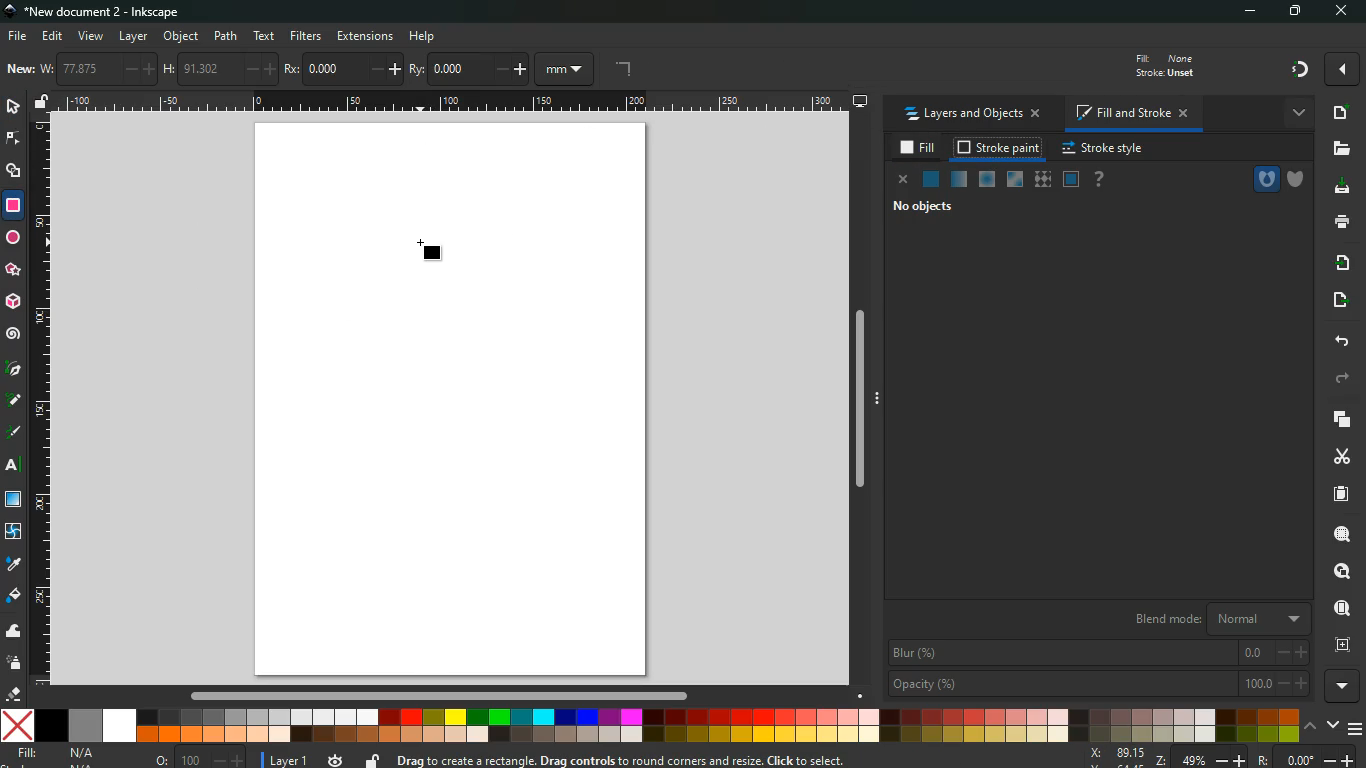 The image size is (1366, 768). What do you see at coordinates (15, 370) in the screenshot?
I see `pic` at bounding box center [15, 370].